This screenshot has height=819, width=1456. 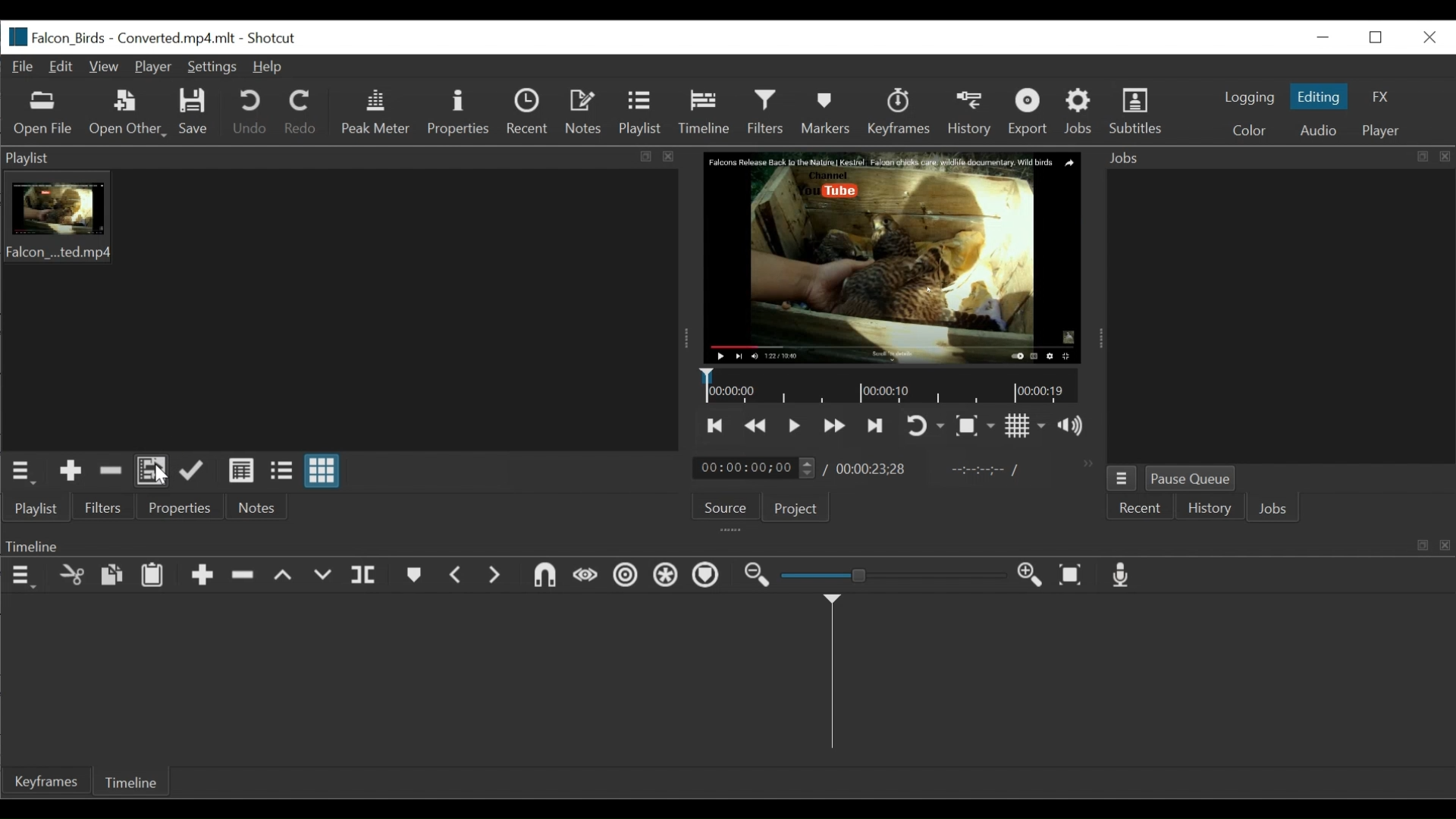 What do you see at coordinates (71, 576) in the screenshot?
I see `Cut` at bounding box center [71, 576].